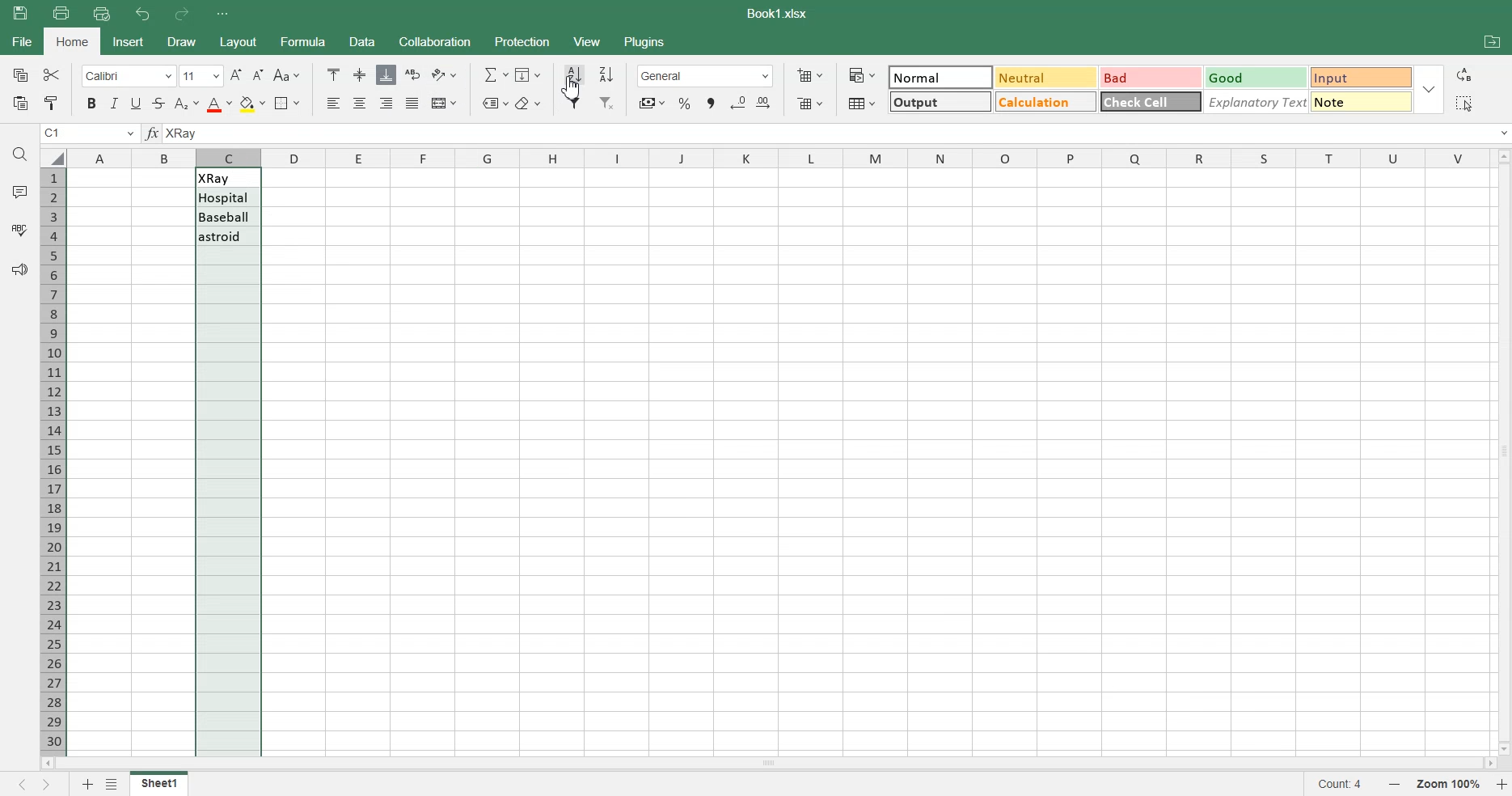  Describe the element at coordinates (89, 104) in the screenshot. I see `Bold` at that location.